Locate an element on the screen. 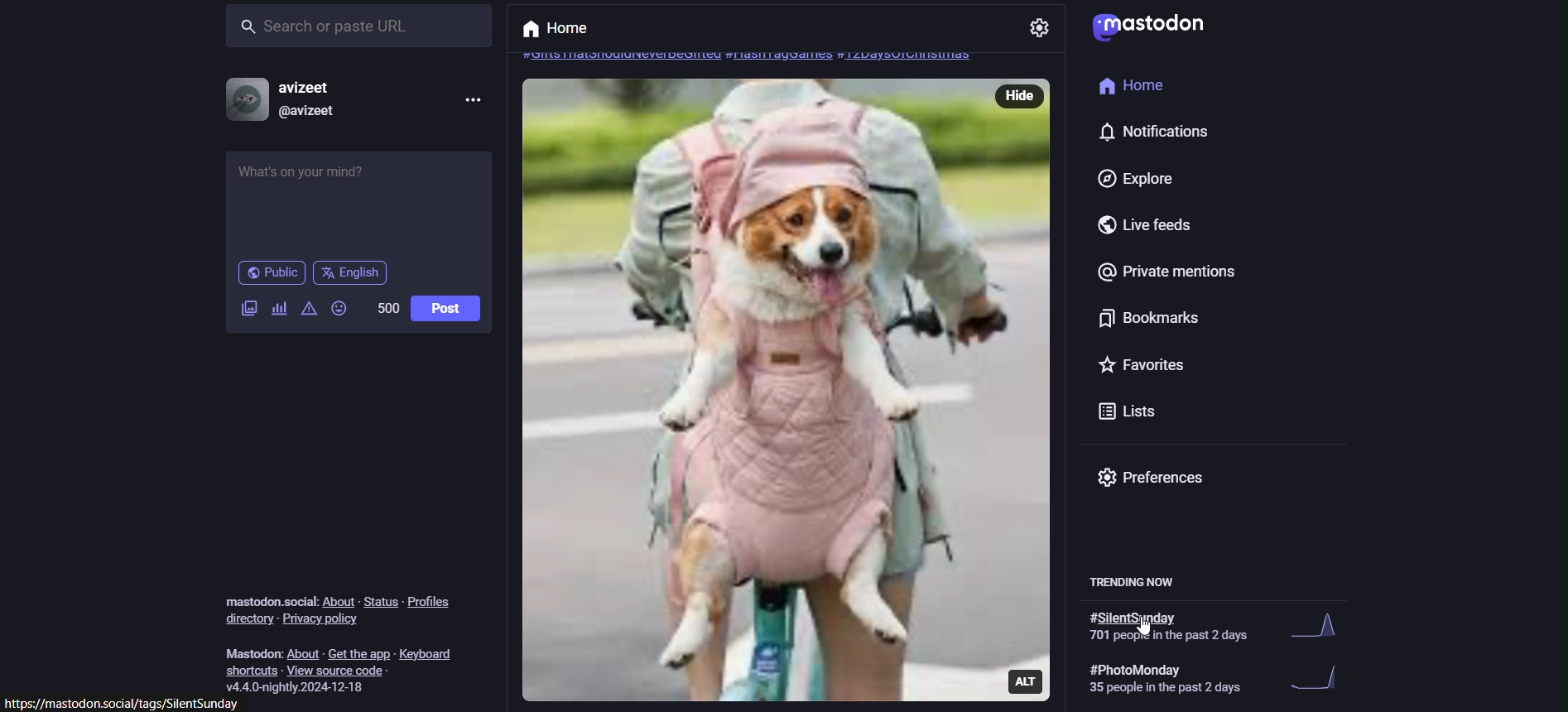 The width and height of the screenshot is (1568, 712). Hashtags is located at coordinates (750, 56).